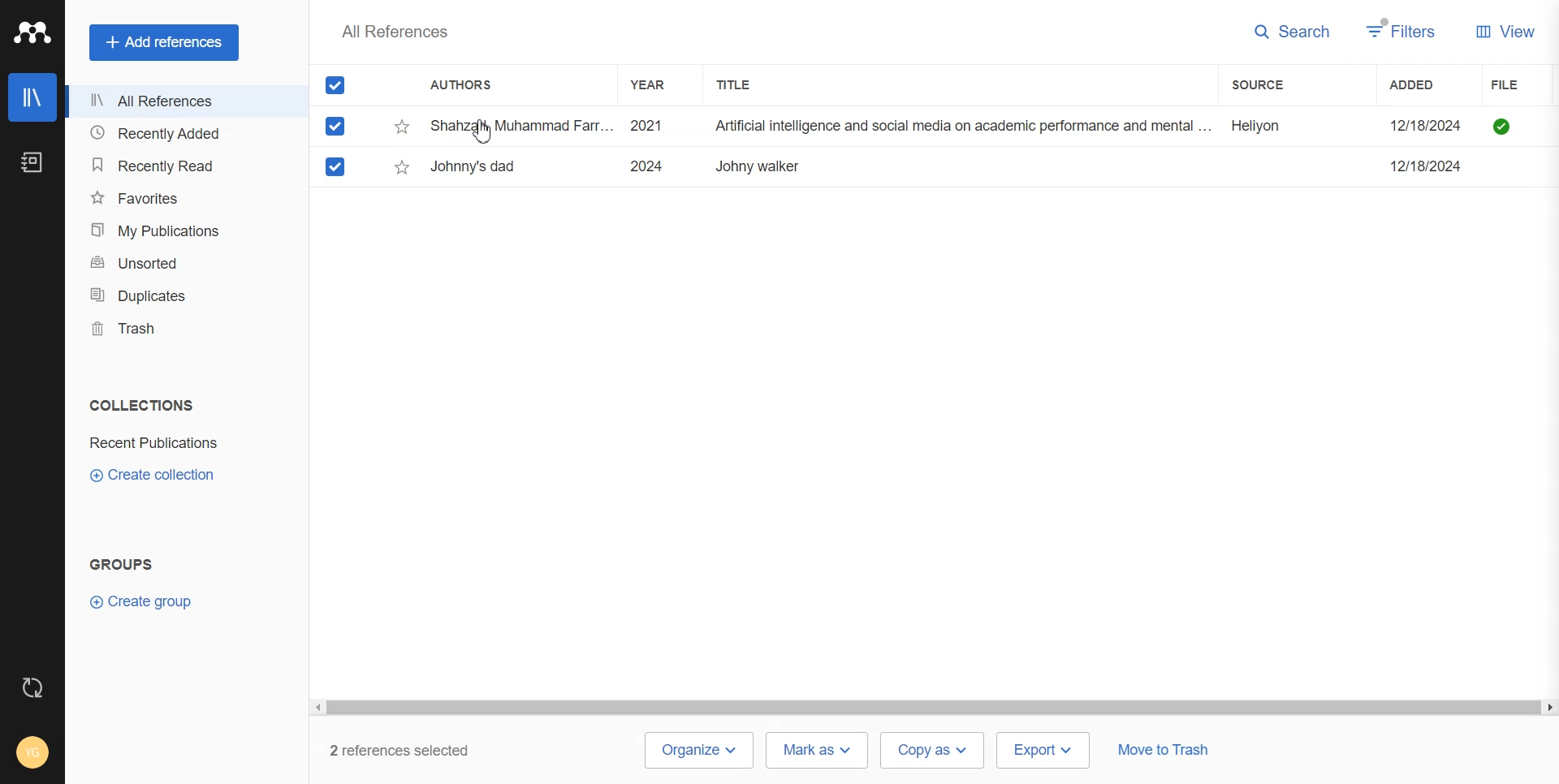 The height and width of the screenshot is (784, 1559). Describe the element at coordinates (1402, 31) in the screenshot. I see `Filters` at that location.